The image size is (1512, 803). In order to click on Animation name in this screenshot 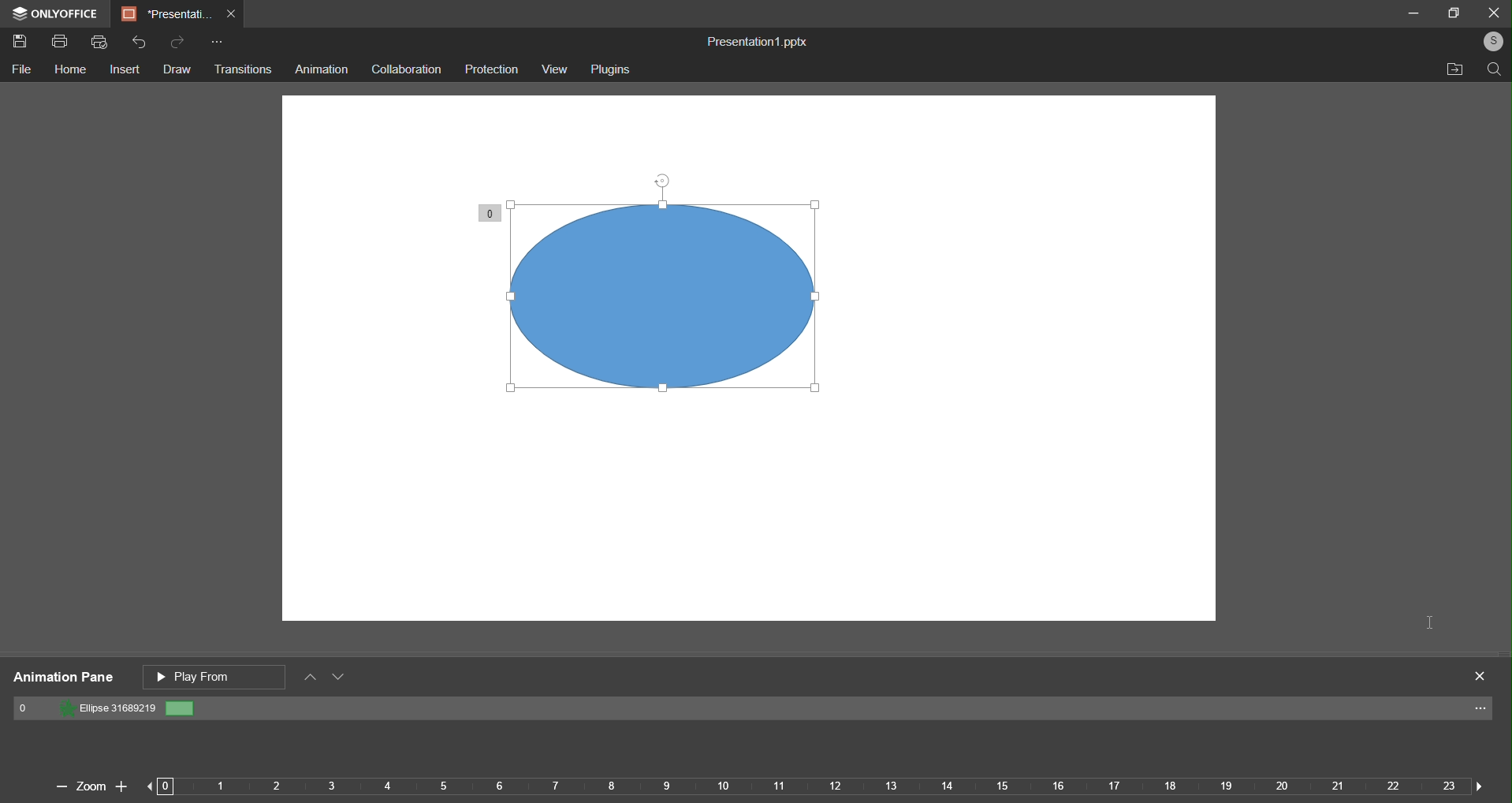, I will do `click(106, 709)`.